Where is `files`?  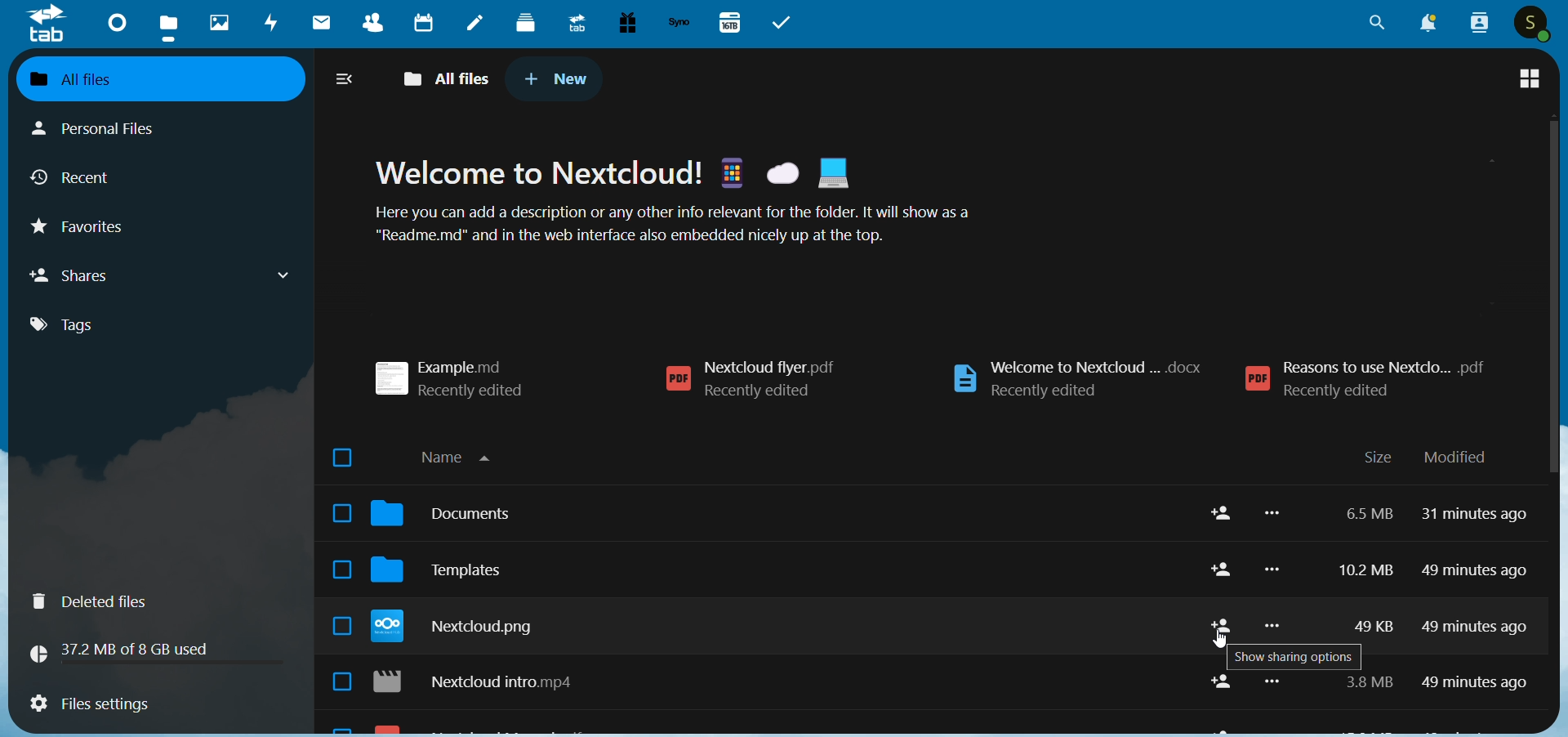 files is located at coordinates (171, 26).